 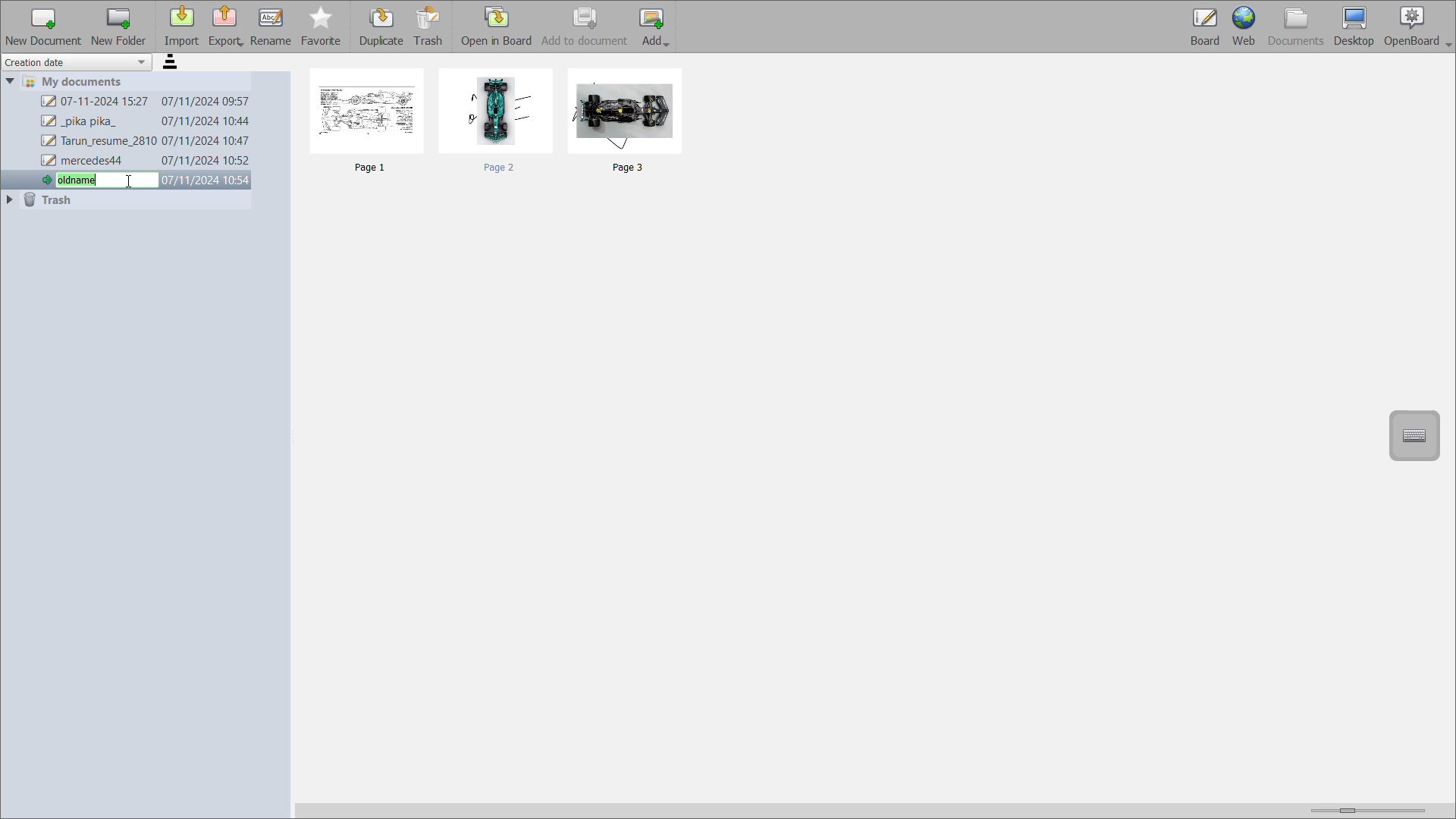 I want to click on my documents, so click(x=80, y=81).